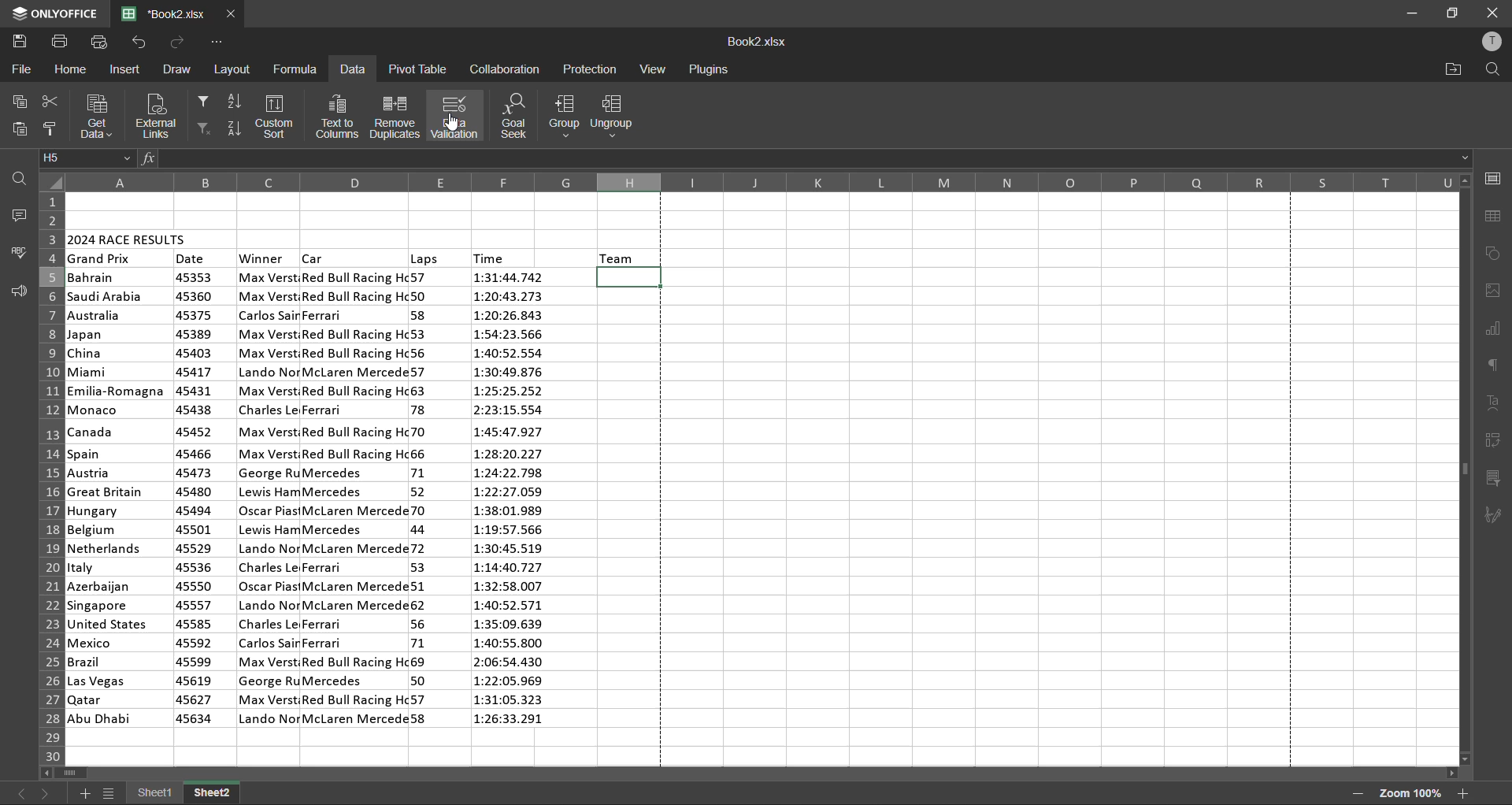 The width and height of the screenshot is (1512, 805). What do you see at coordinates (179, 42) in the screenshot?
I see `redo` at bounding box center [179, 42].